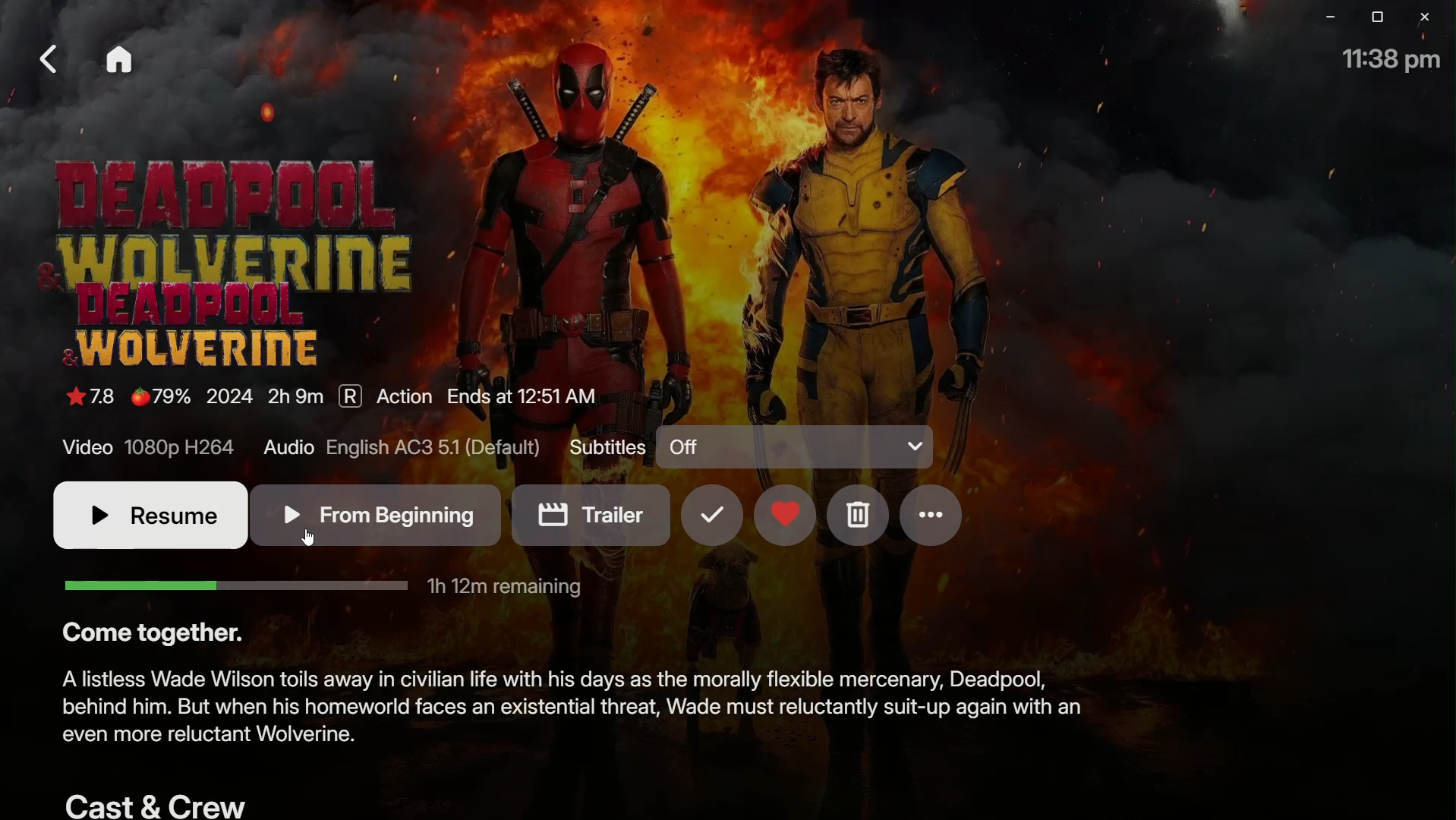 This screenshot has height=820, width=1456. What do you see at coordinates (142, 515) in the screenshot?
I see `Resume` at bounding box center [142, 515].